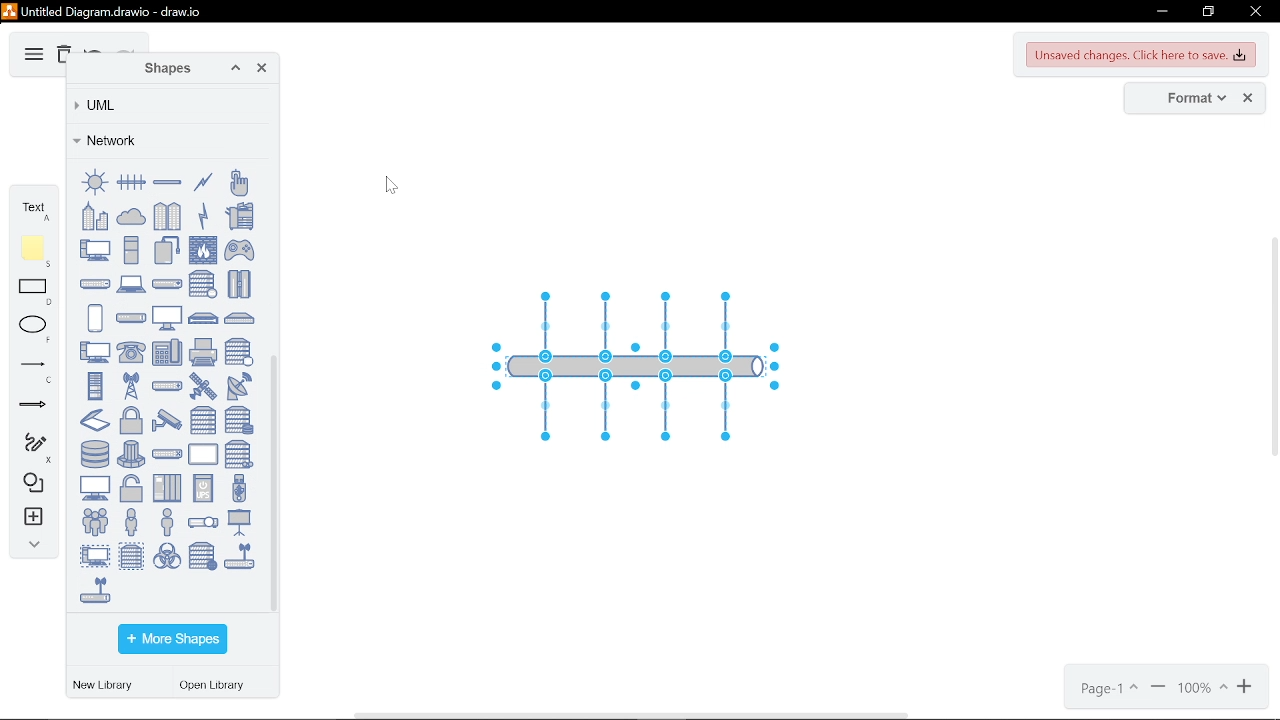 The height and width of the screenshot is (720, 1280). I want to click on open library, so click(217, 687).